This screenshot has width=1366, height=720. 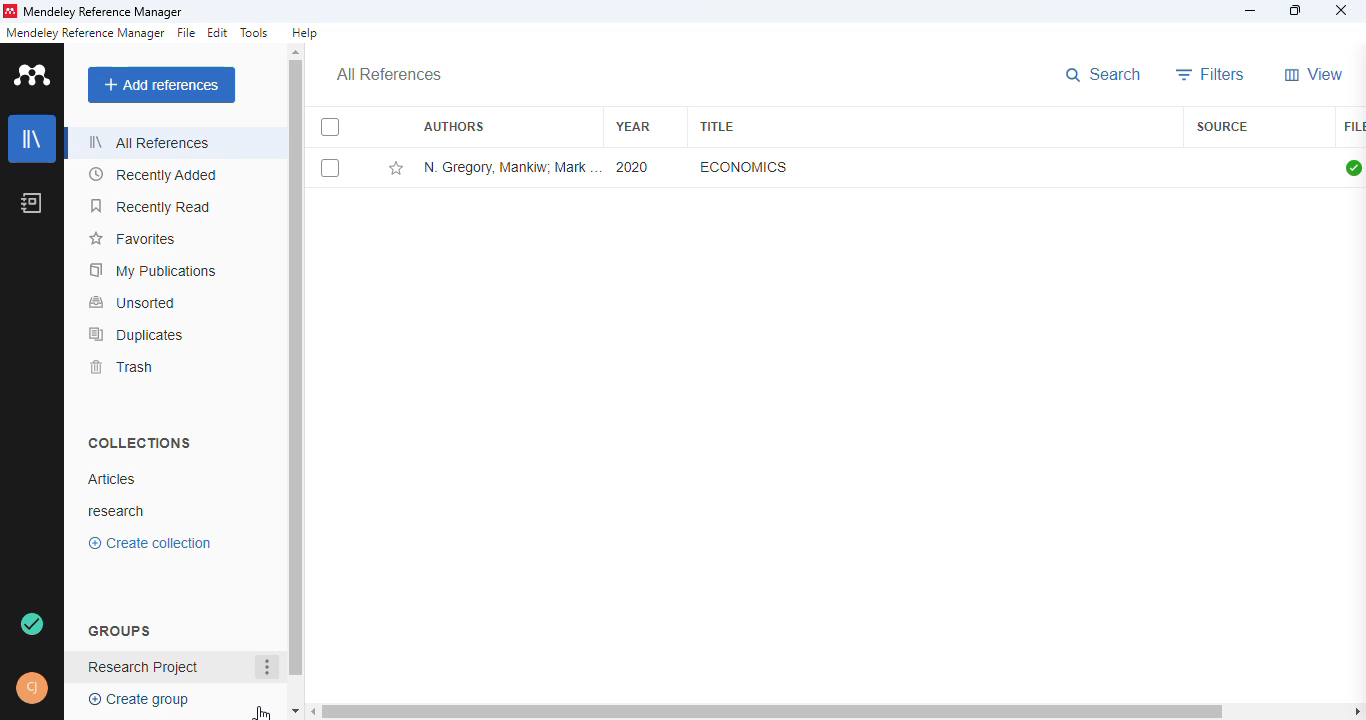 I want to click on unsorted, so click(x=131, y=302).